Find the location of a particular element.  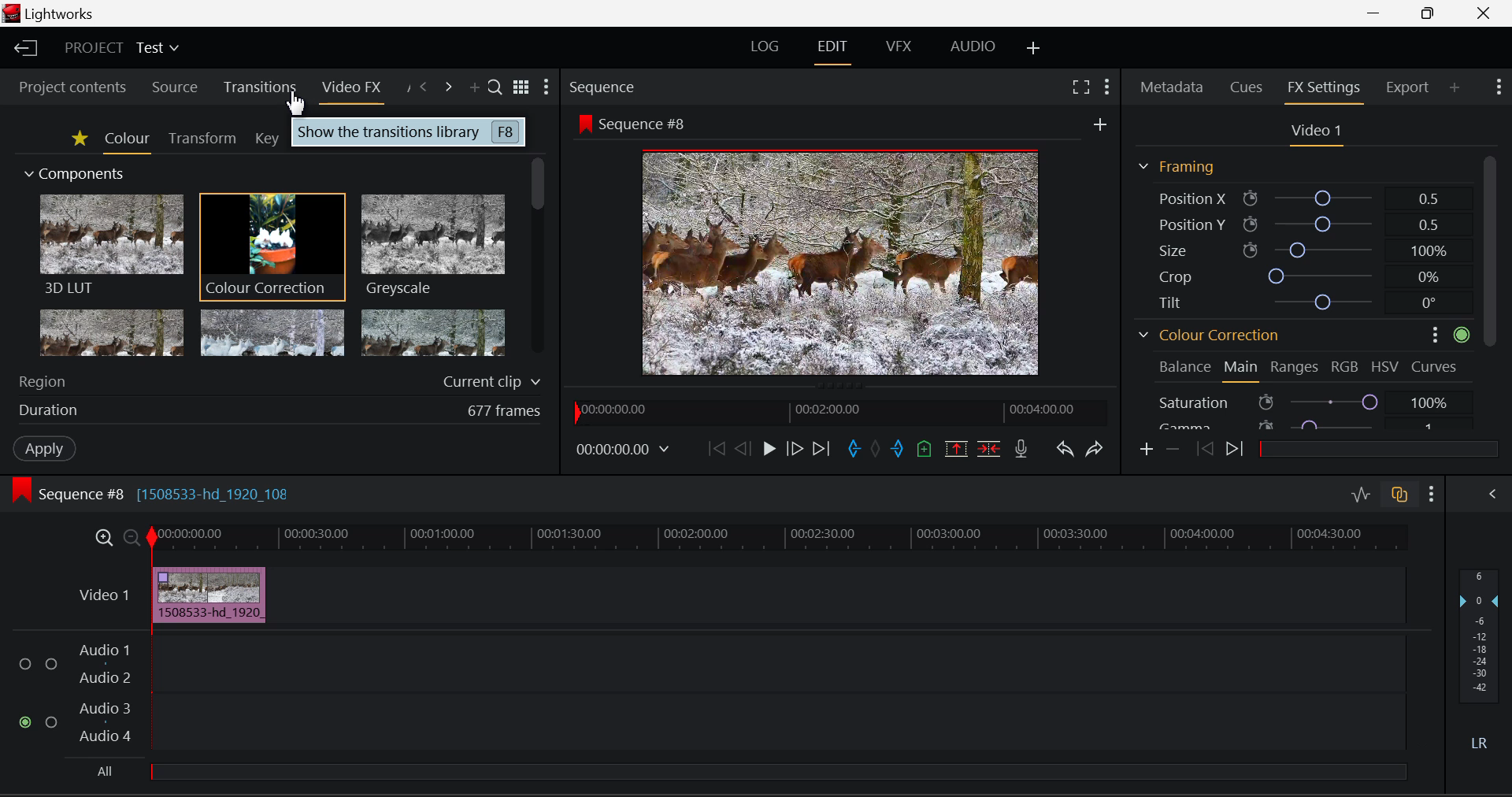

Audio 2 is located at coordinates (104, 679).